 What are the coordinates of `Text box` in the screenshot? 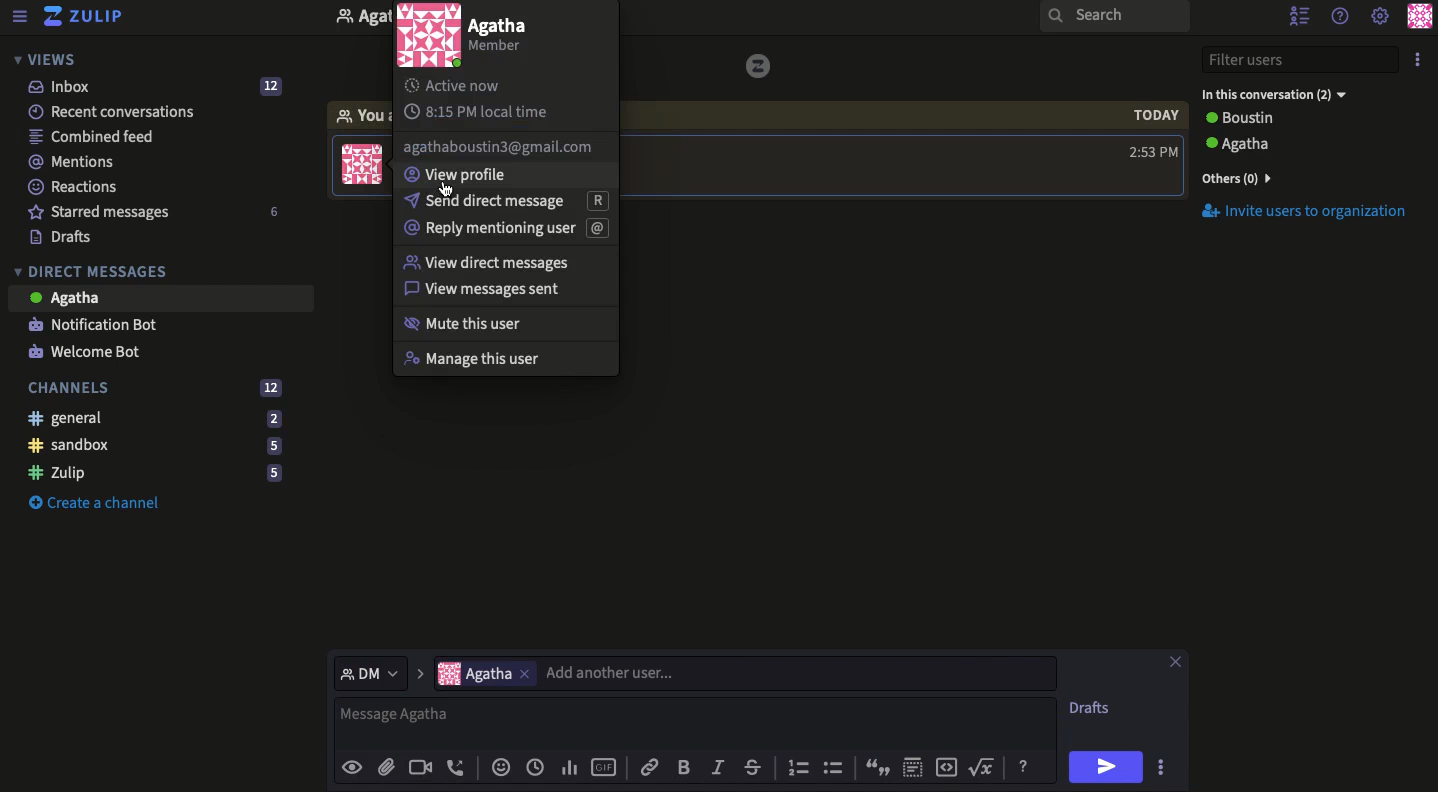 It's located at (696, 722).